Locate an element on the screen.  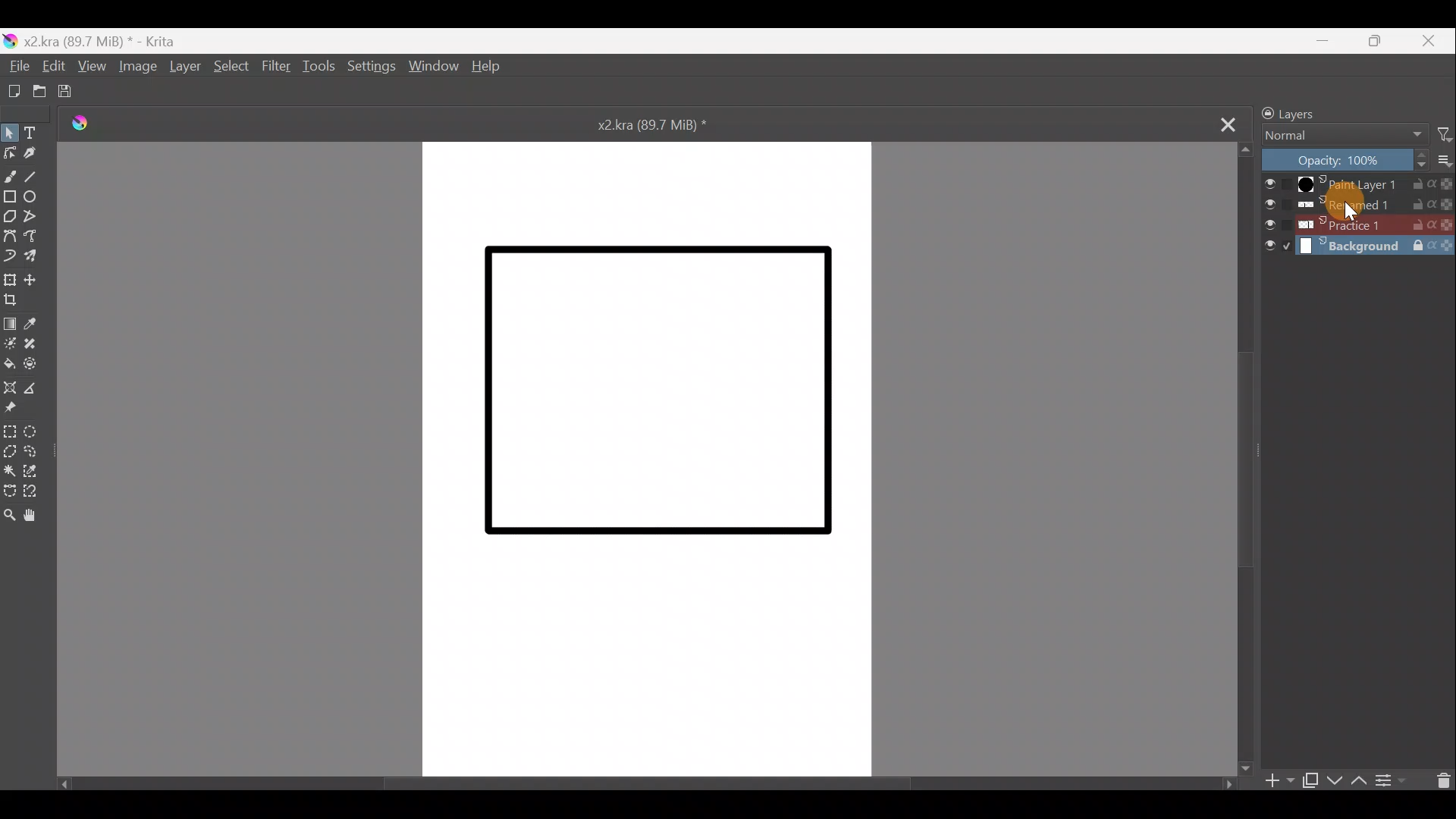
Assistant tool is located at coordinates (12, 386).